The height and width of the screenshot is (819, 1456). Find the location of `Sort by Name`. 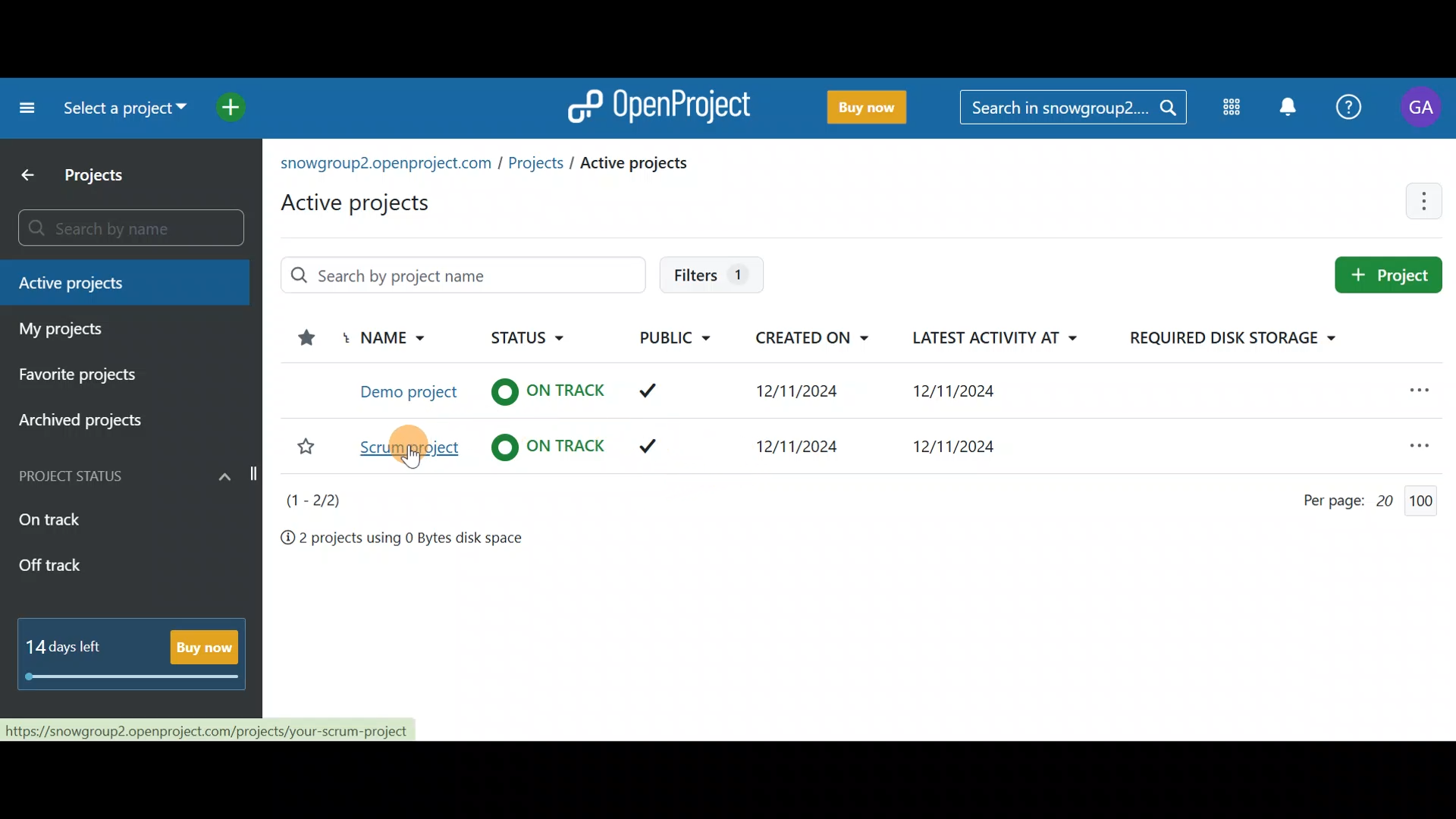

Sort by Name is located at coordinates (388, 339).